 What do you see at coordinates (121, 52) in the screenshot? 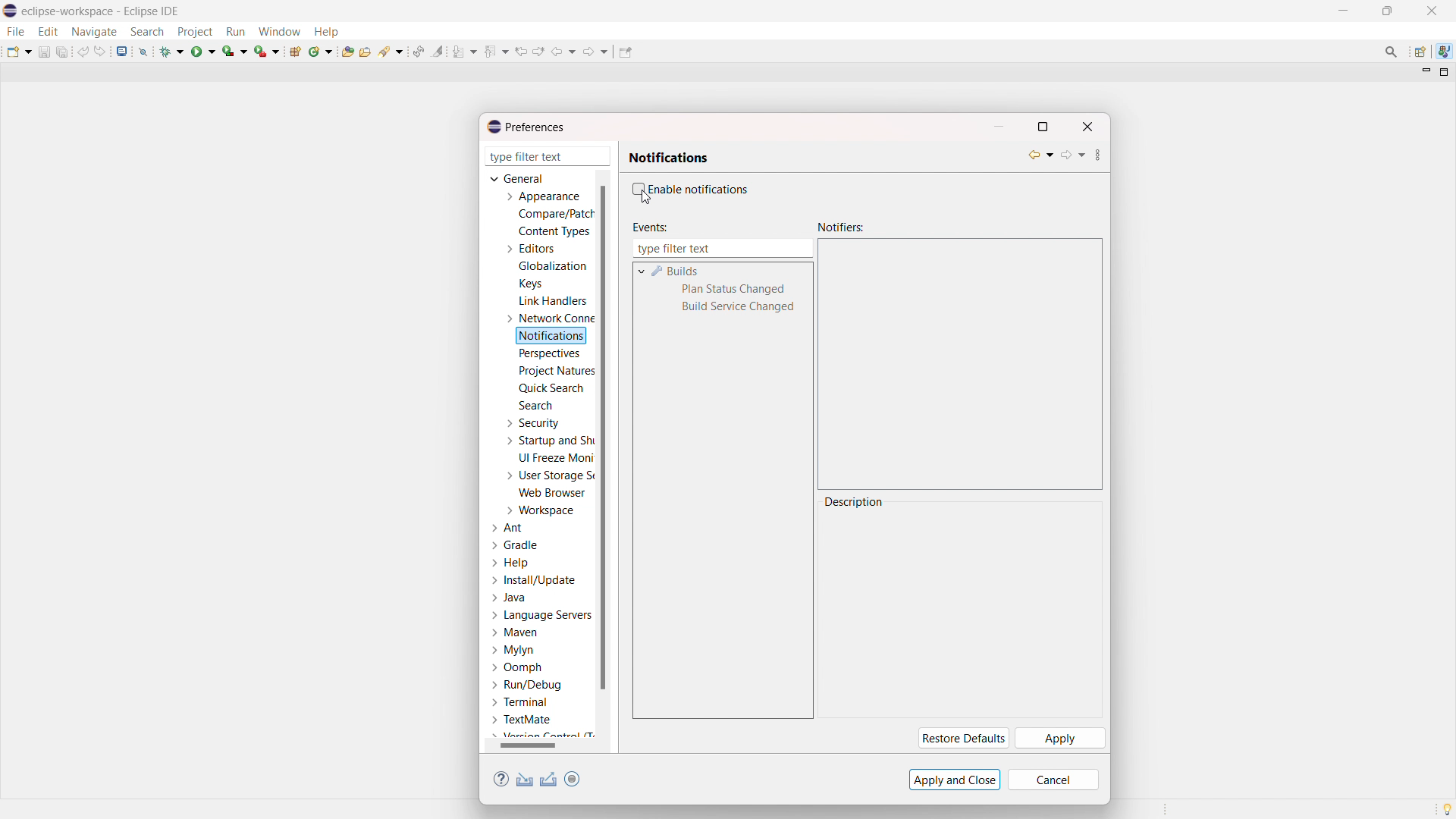
I see `open console` at bounding box center [121, 52].